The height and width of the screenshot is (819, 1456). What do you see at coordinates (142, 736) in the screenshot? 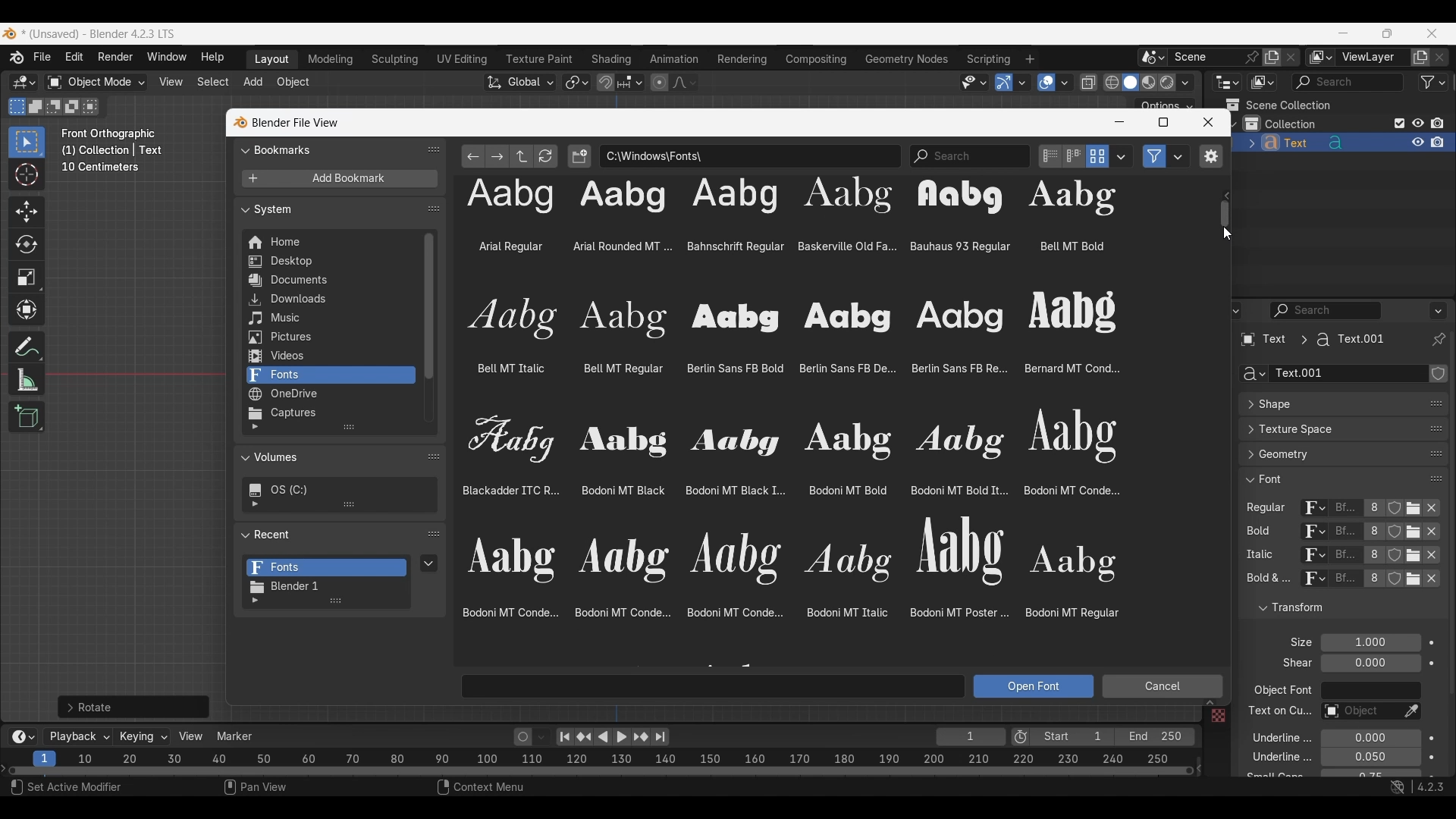
I see `Keying` at bounding box center [142, 736].